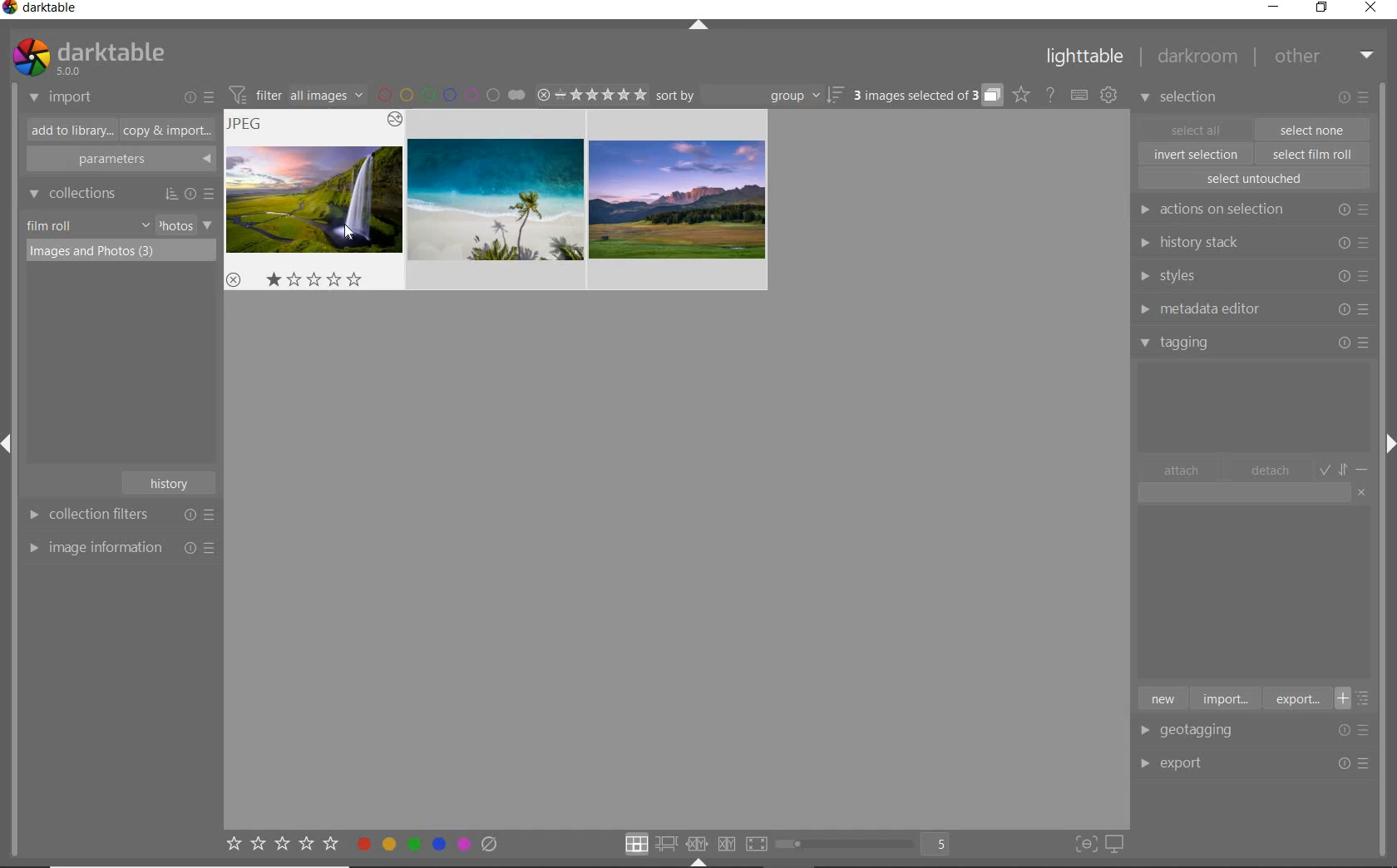 This screenshot has width=1397, height=868. I want to click on images, so click(496, 200).